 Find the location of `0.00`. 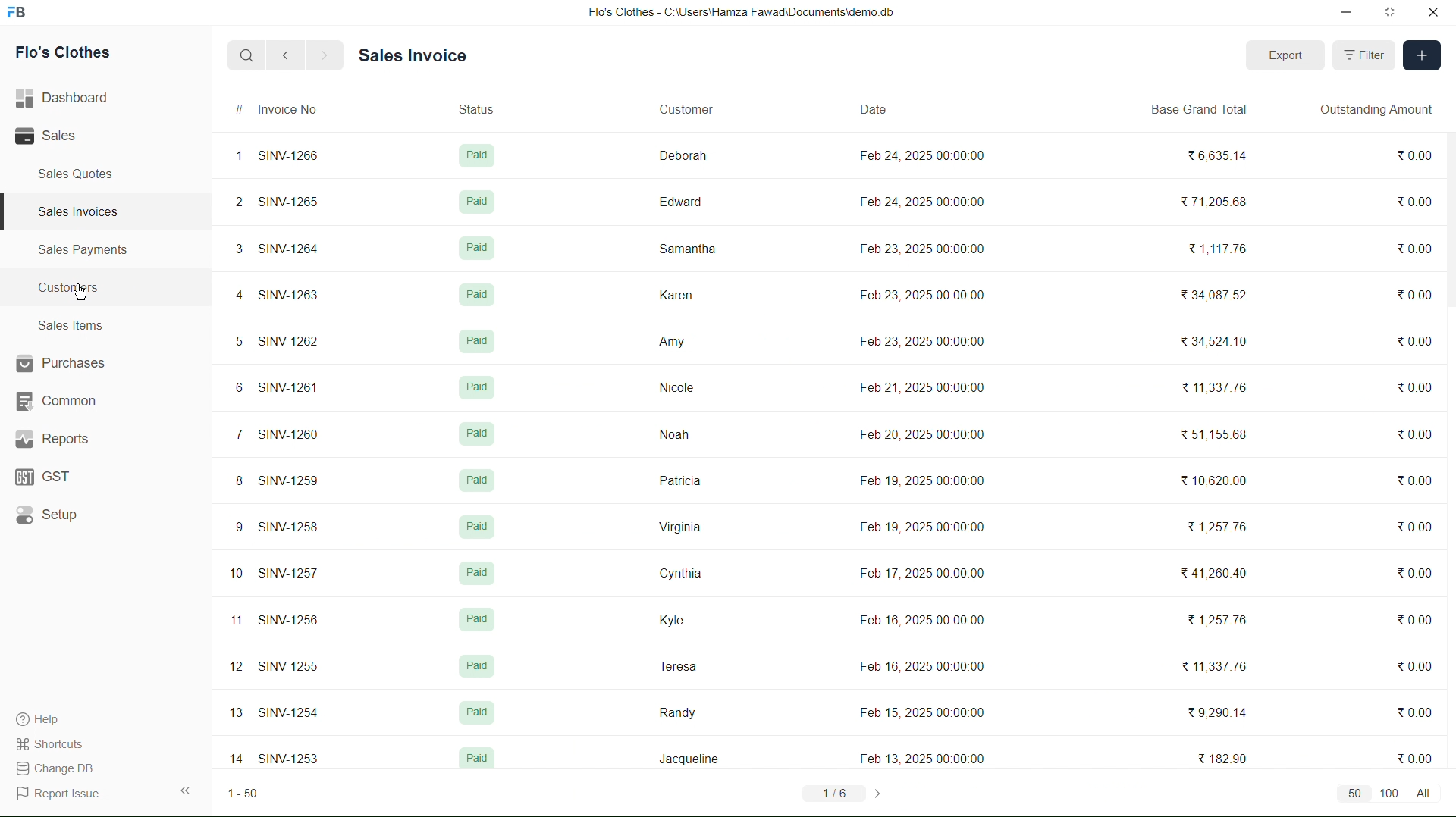

0.00 is located at coordinates (1417, 154).